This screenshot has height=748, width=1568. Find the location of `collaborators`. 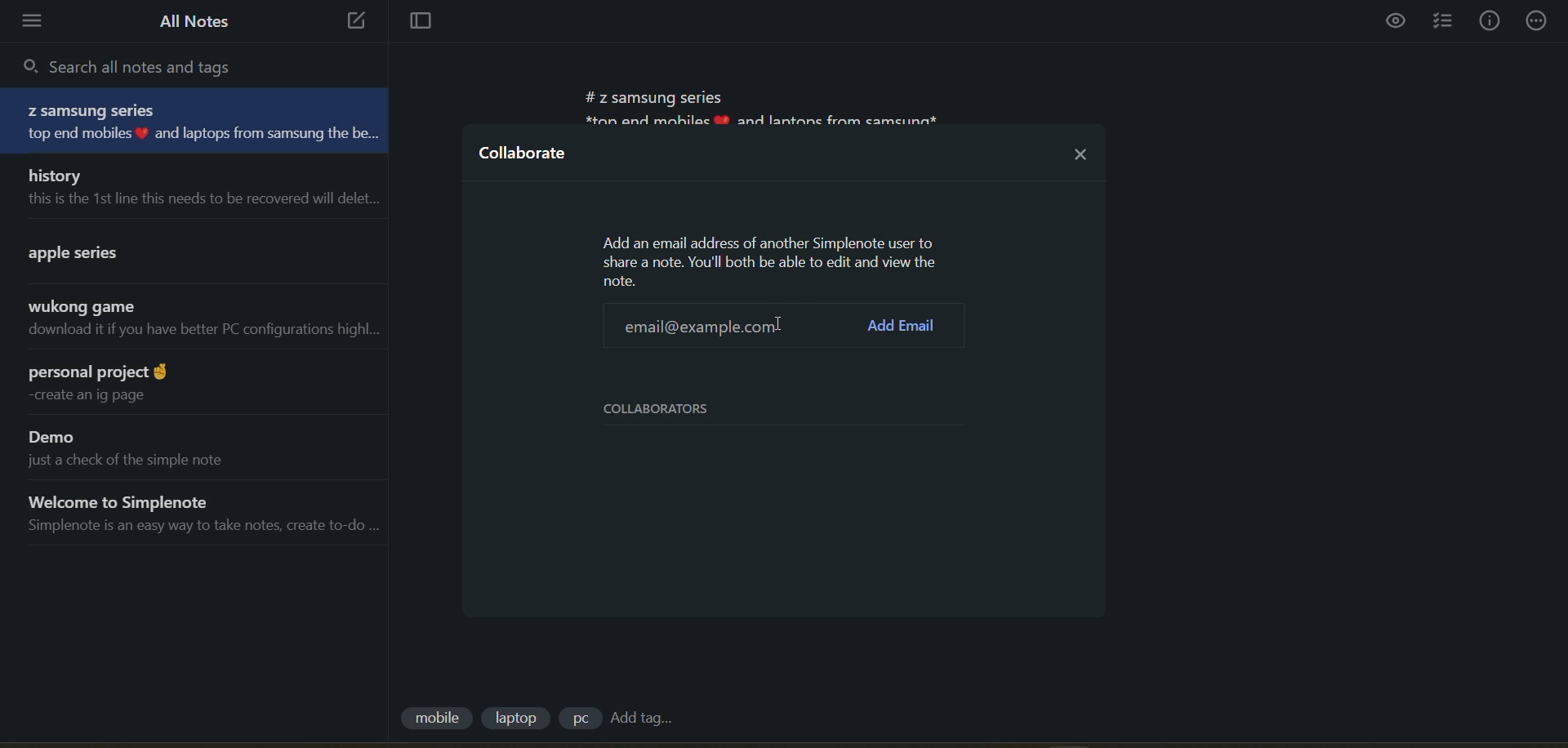

collaborators is located at coordinates (670, 409).